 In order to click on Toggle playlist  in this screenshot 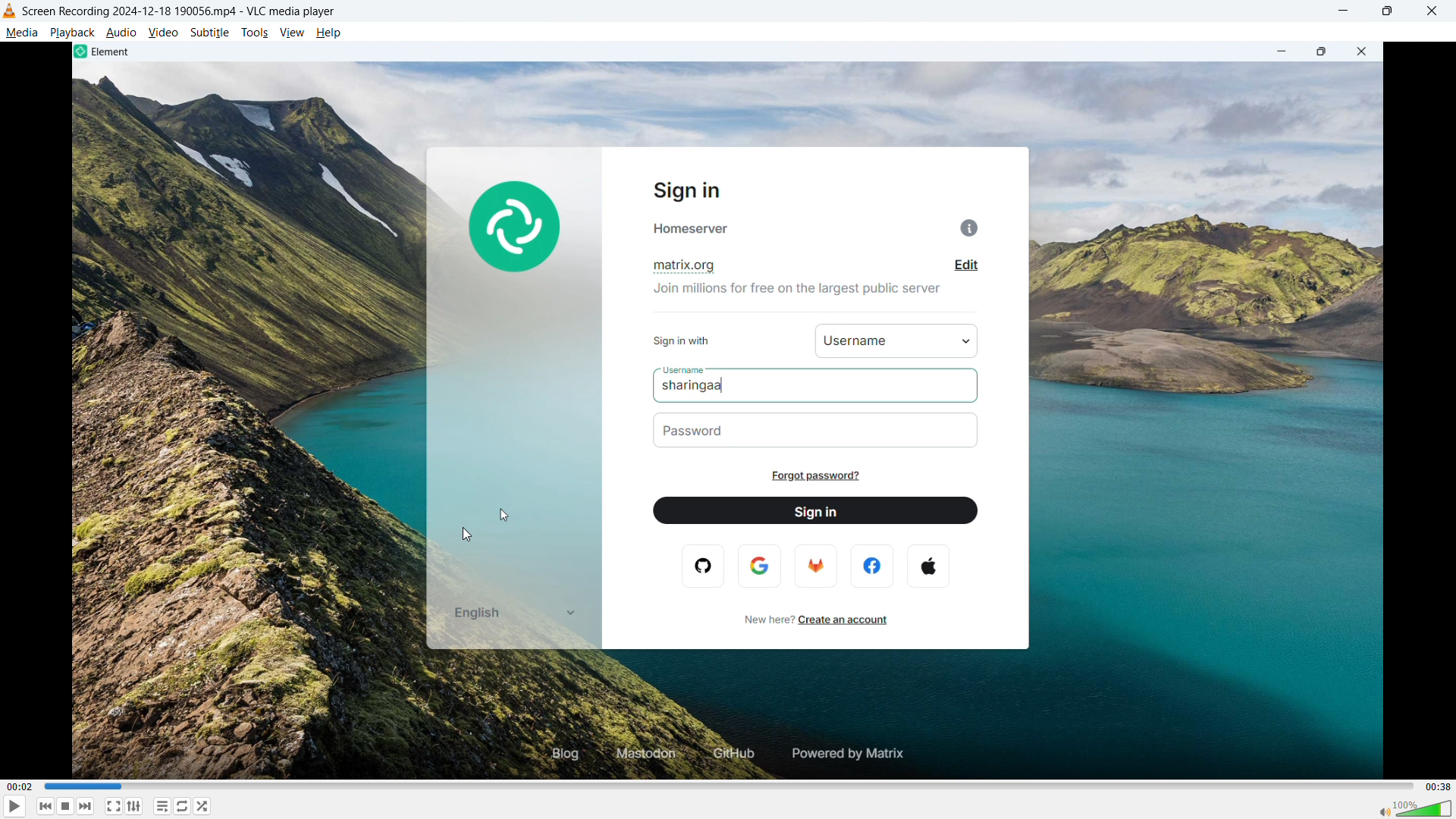, I will do `click(162, 806)`.